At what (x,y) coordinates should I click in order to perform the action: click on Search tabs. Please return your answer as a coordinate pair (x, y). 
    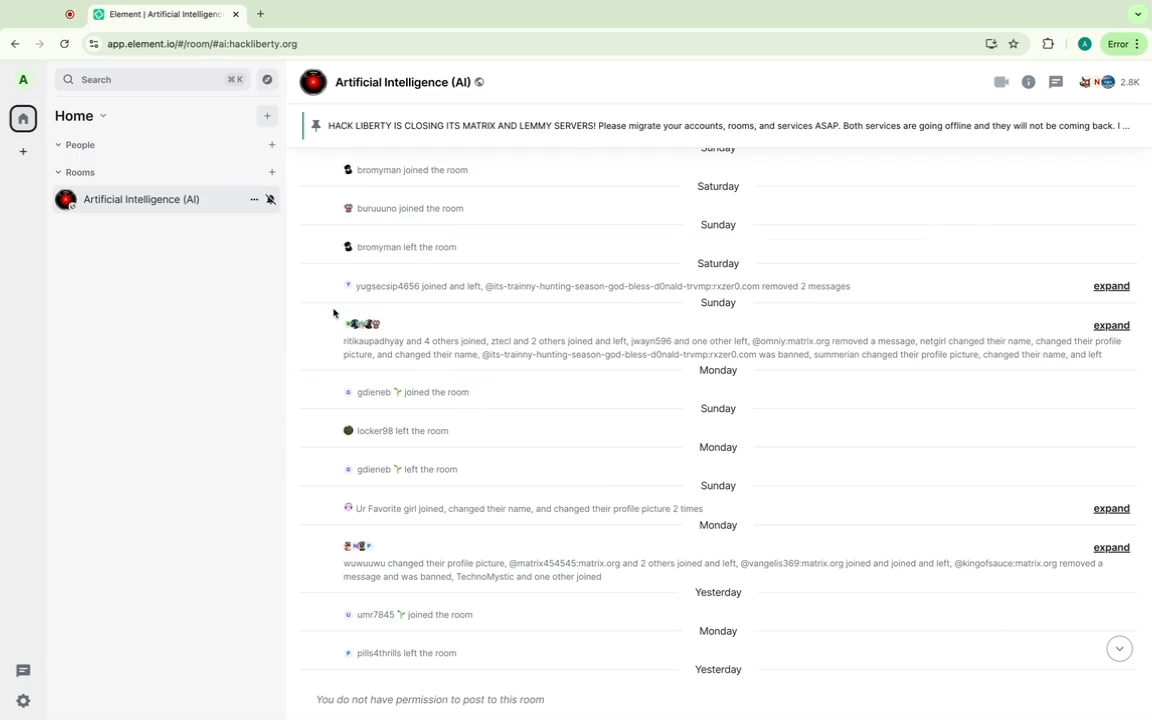
    Looking at the image, I should click on (1140, 15).